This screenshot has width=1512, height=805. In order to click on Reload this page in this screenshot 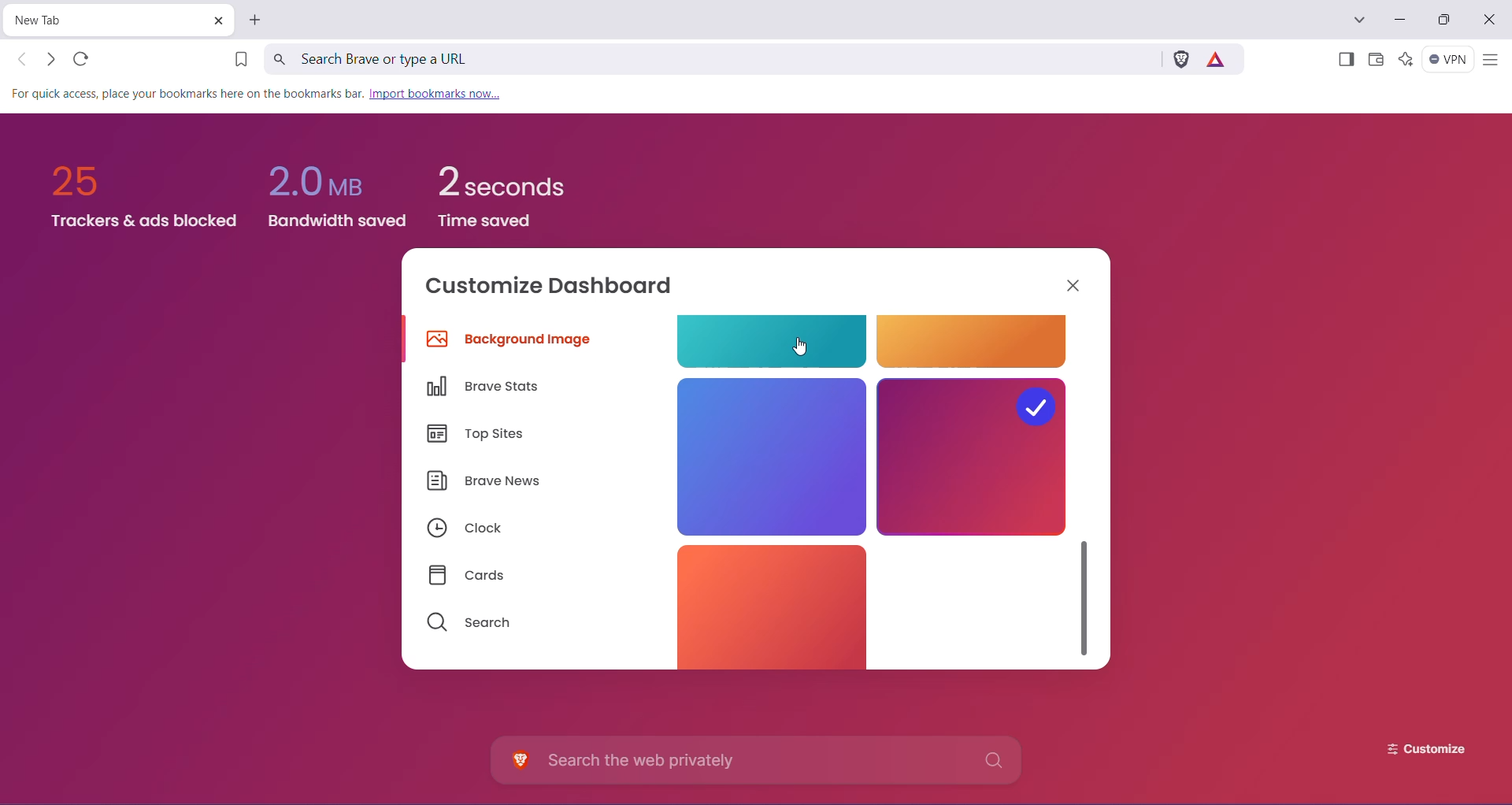, I will do `click(83, 58)`.